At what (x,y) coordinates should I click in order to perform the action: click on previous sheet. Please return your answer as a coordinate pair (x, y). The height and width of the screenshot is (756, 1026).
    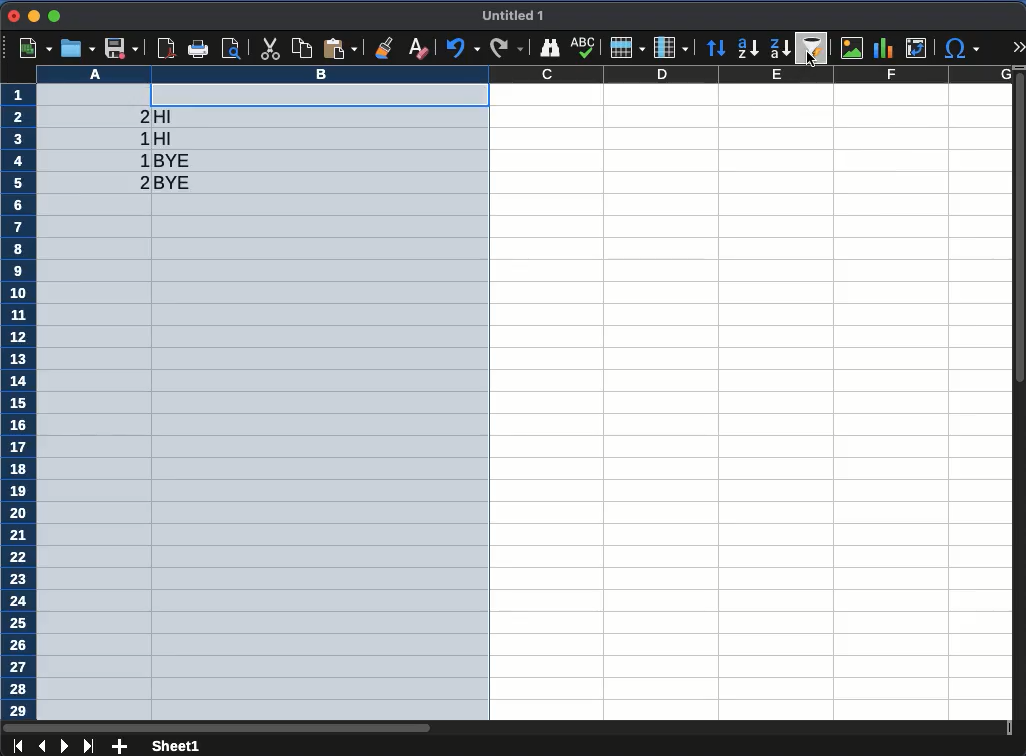
    Looking at the image, I should click on (42, 745).